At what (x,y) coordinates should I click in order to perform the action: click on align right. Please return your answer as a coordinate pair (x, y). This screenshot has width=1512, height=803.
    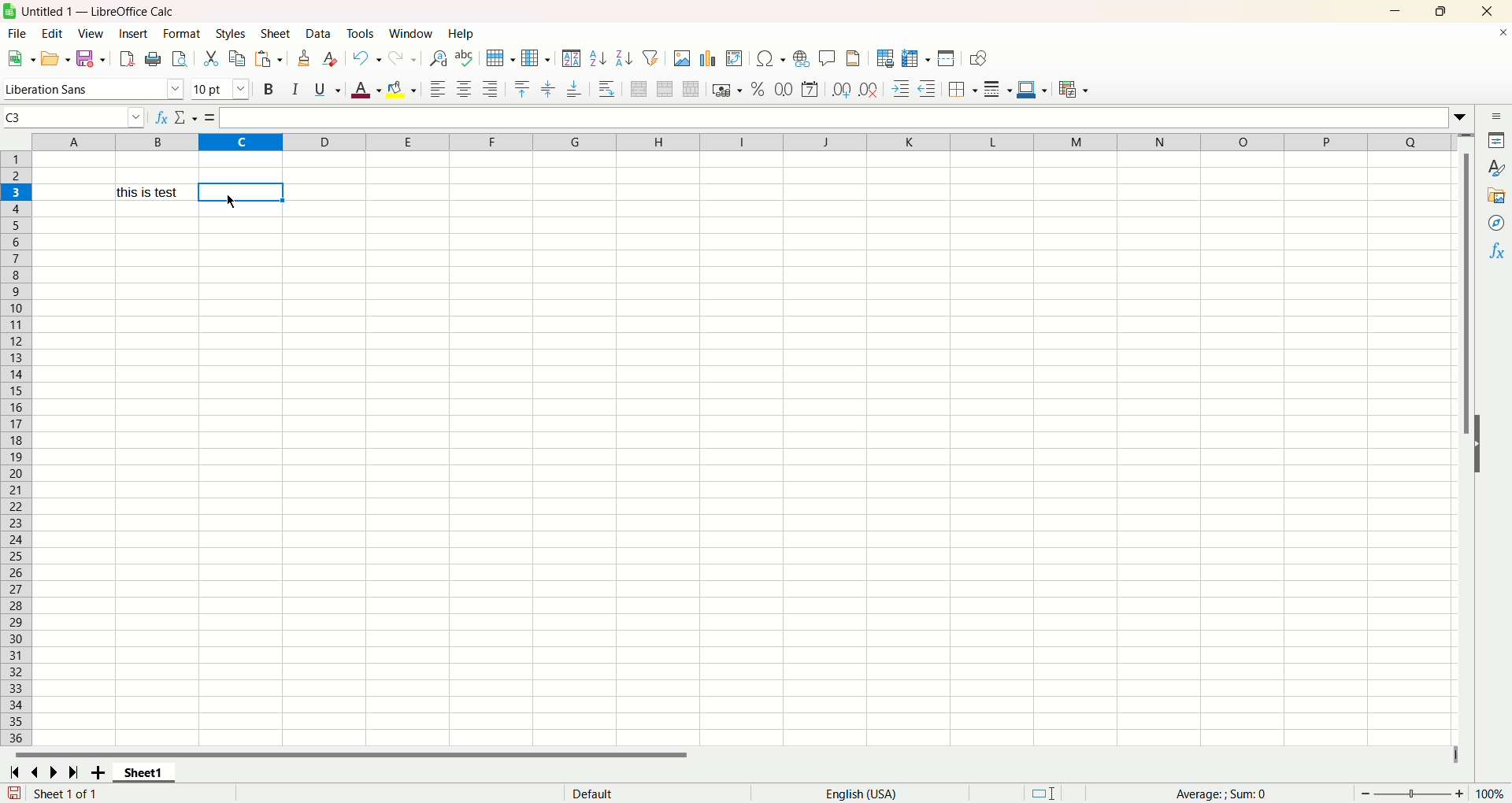
    Looking at the image, I should click on (490, 89).